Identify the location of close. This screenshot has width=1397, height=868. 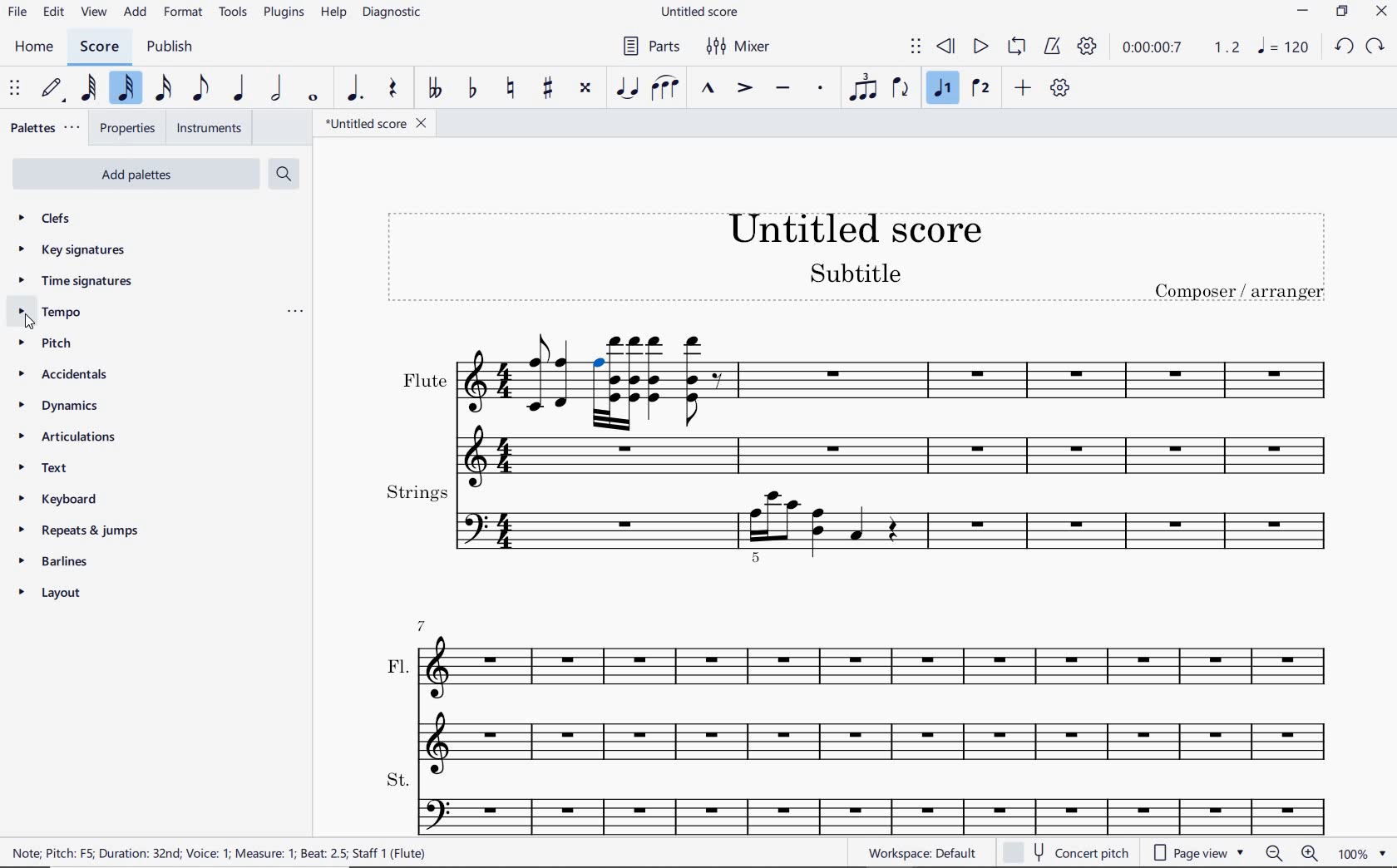
(1382, 11).